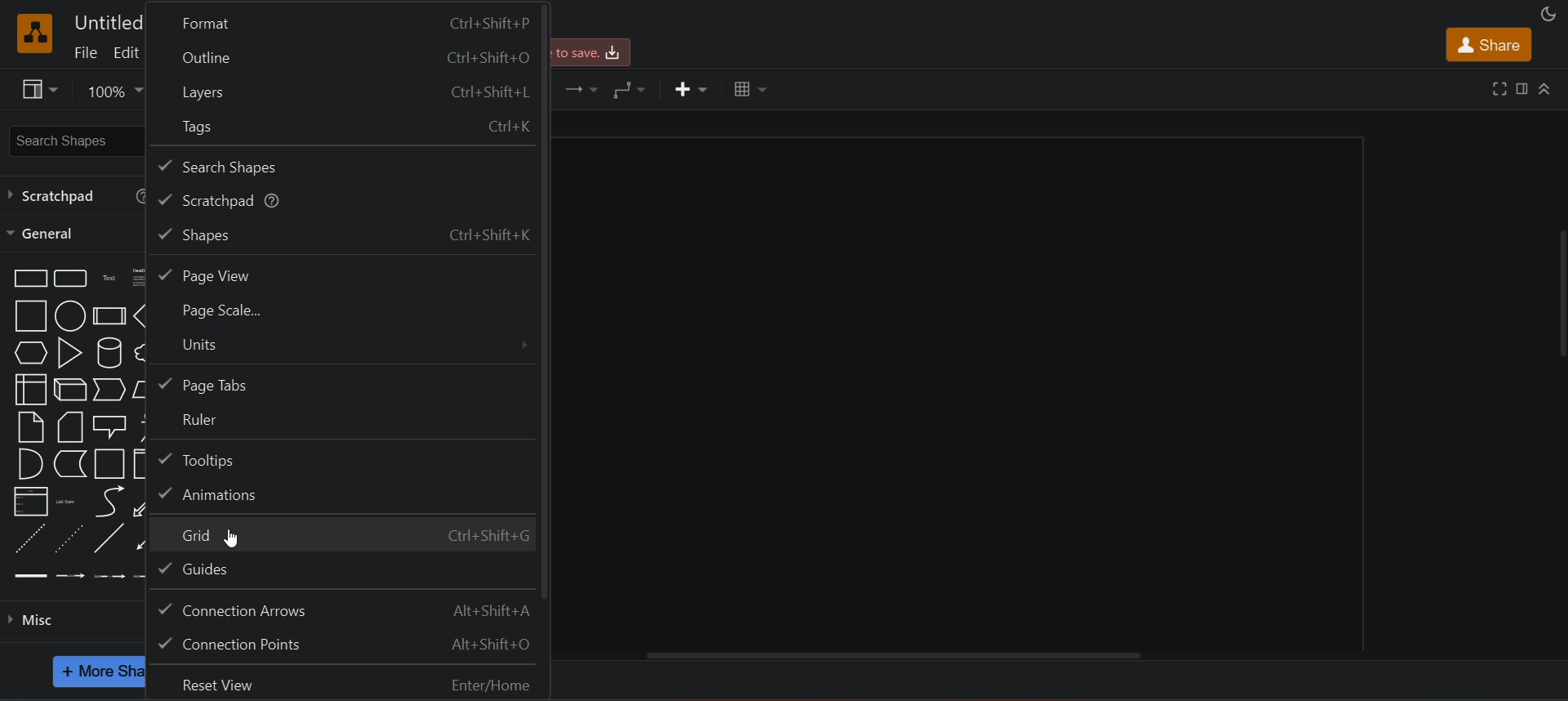 Image resolution: width=1568 pixels, height=701 pixels. I want to click on link, so click(29, 574).